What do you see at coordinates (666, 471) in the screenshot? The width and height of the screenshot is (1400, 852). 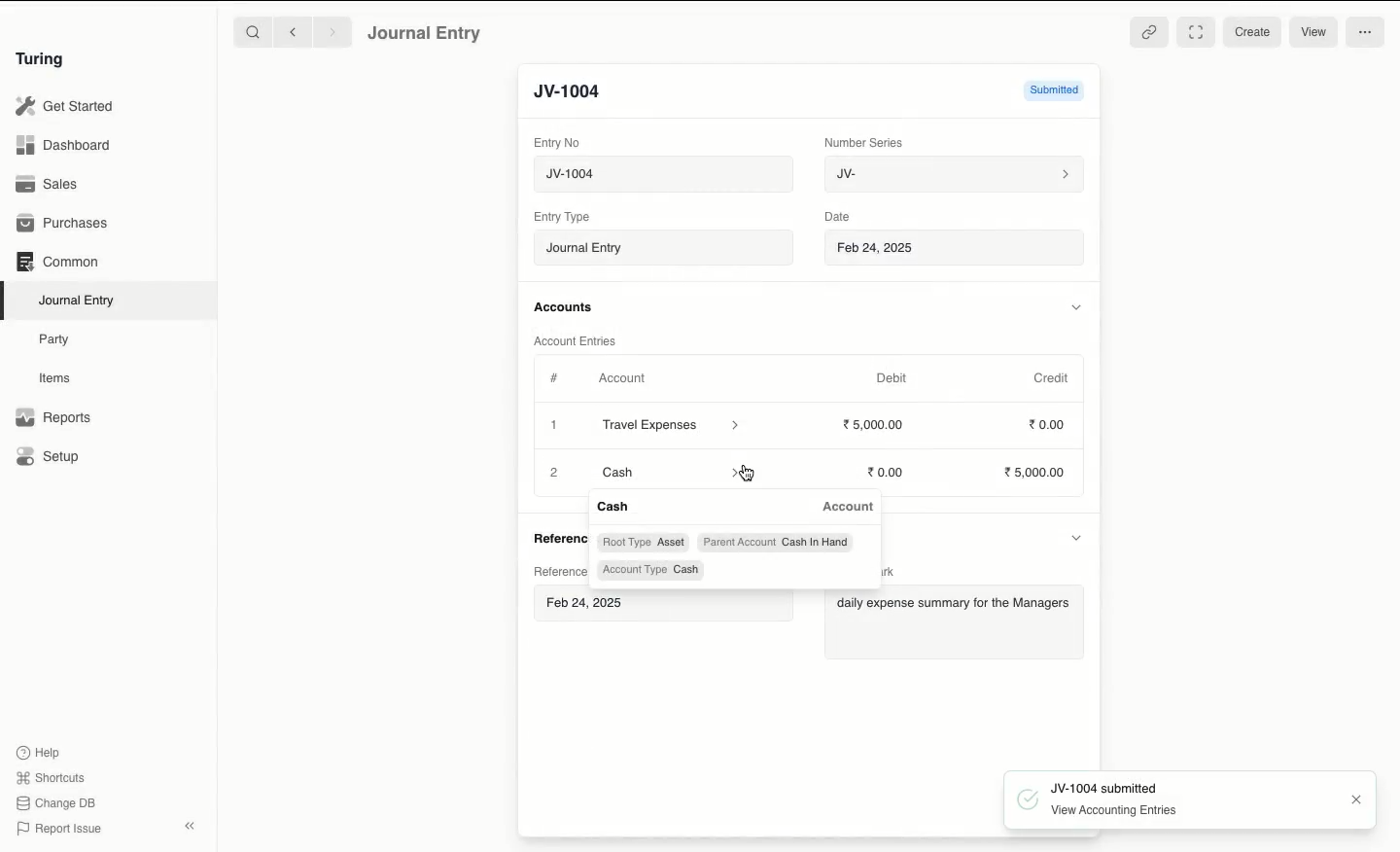 I see `Cash` at bounding box center [666, 471].